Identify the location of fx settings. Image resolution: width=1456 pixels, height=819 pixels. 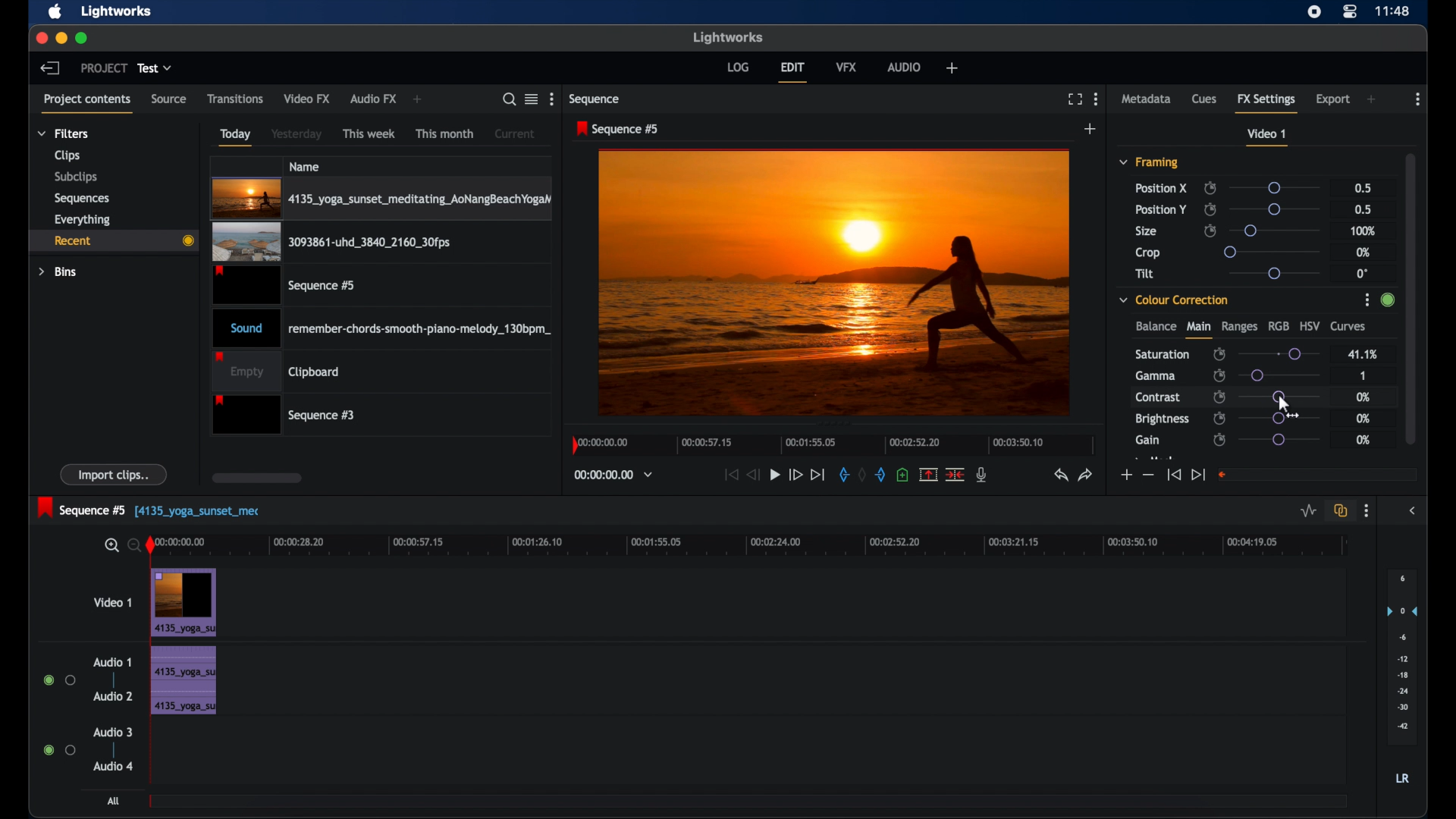
(1268, 102).